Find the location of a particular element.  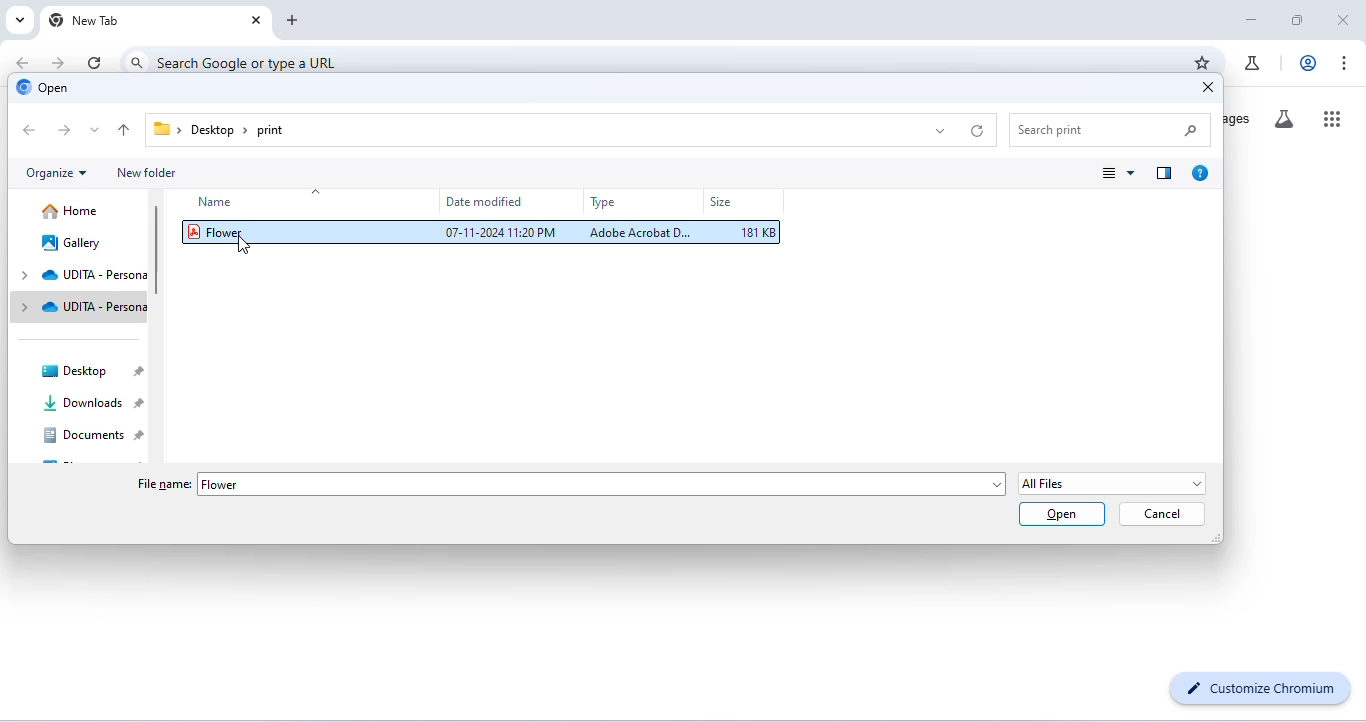

drop down is located at coordinates (27, 292).